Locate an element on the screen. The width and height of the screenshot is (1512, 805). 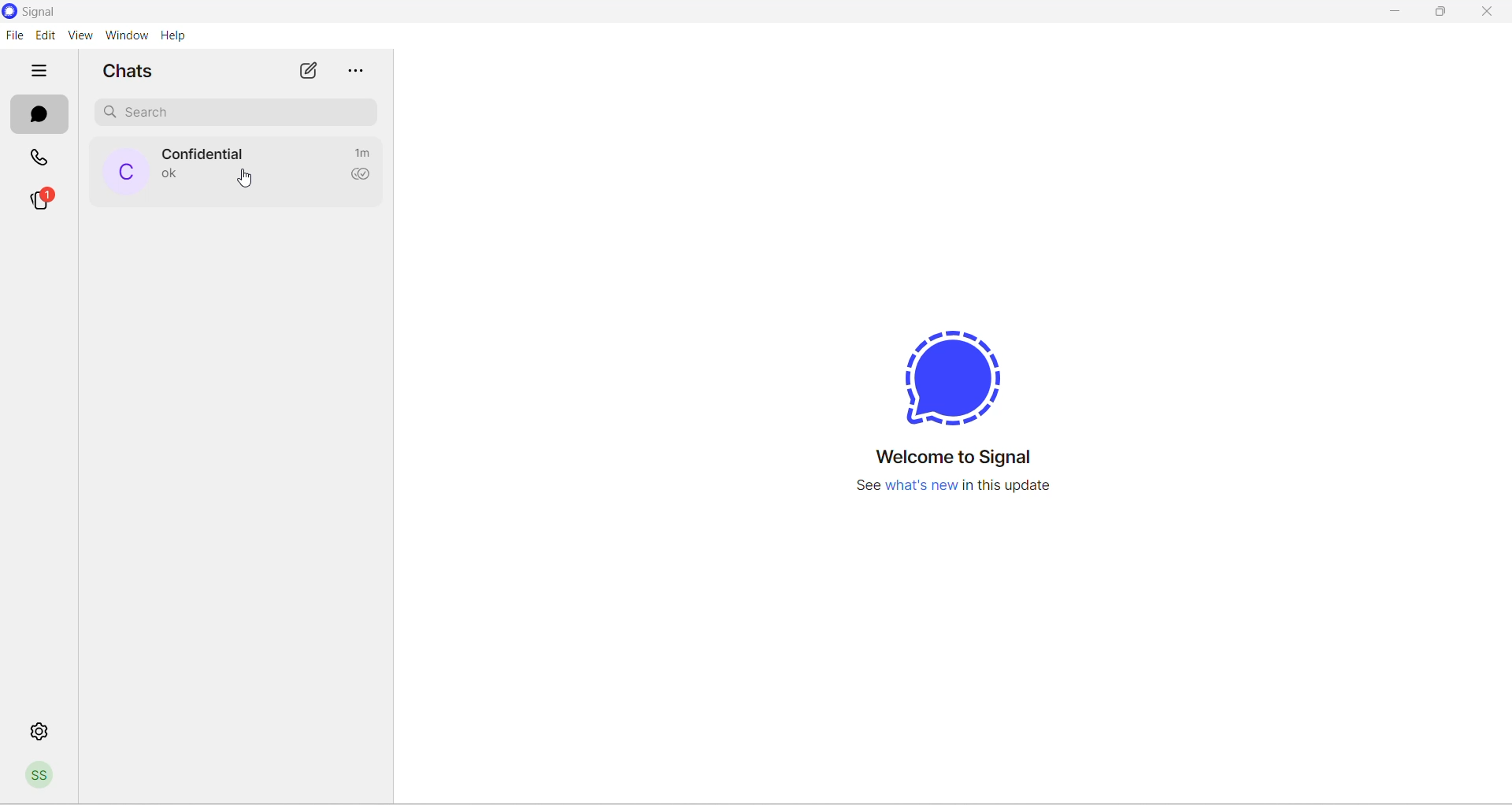
time passed since last message is located at coordinates (362, 152).